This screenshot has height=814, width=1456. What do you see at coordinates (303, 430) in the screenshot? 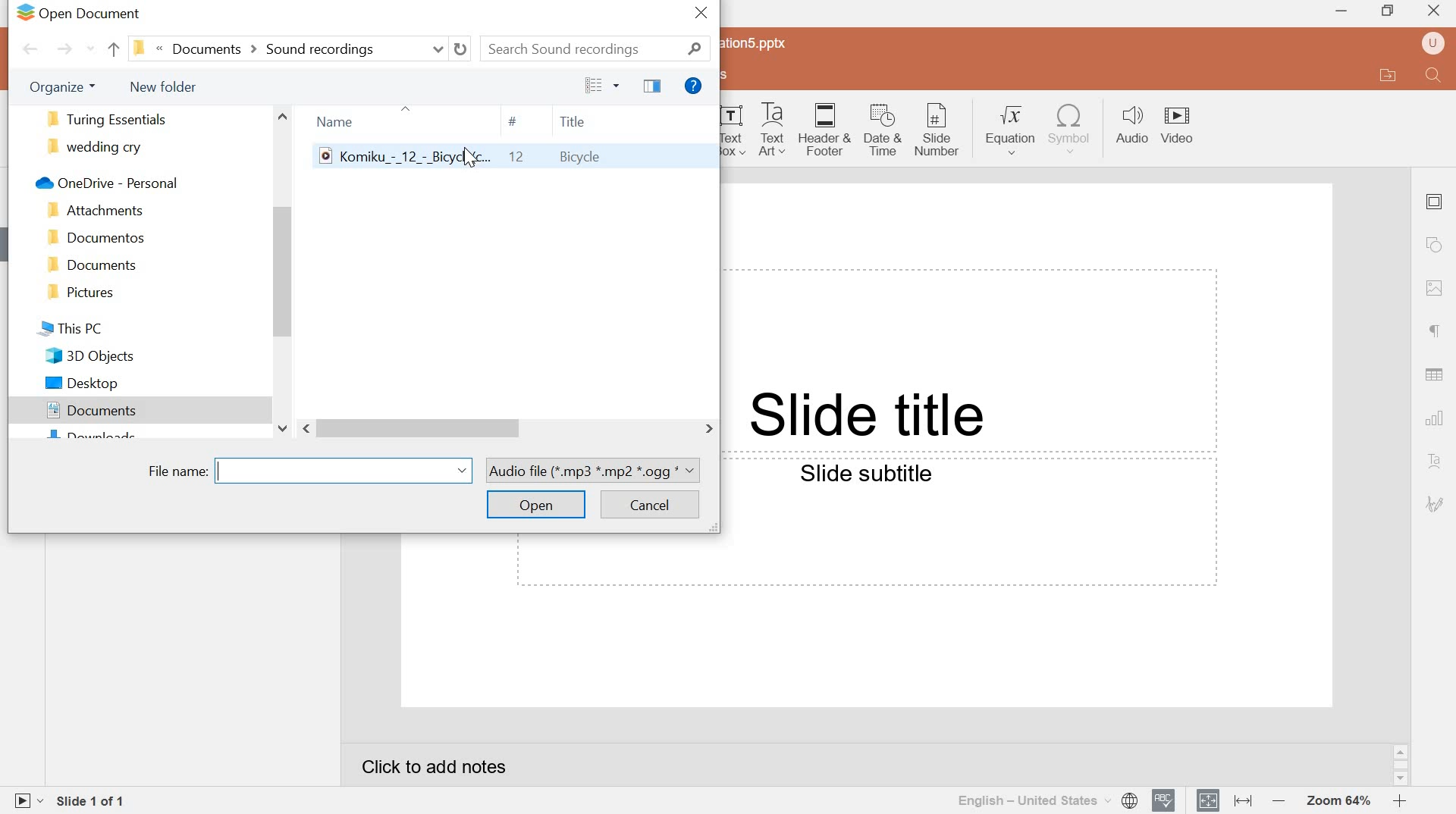
I see `scroll left` at bounding box center [303, 430].